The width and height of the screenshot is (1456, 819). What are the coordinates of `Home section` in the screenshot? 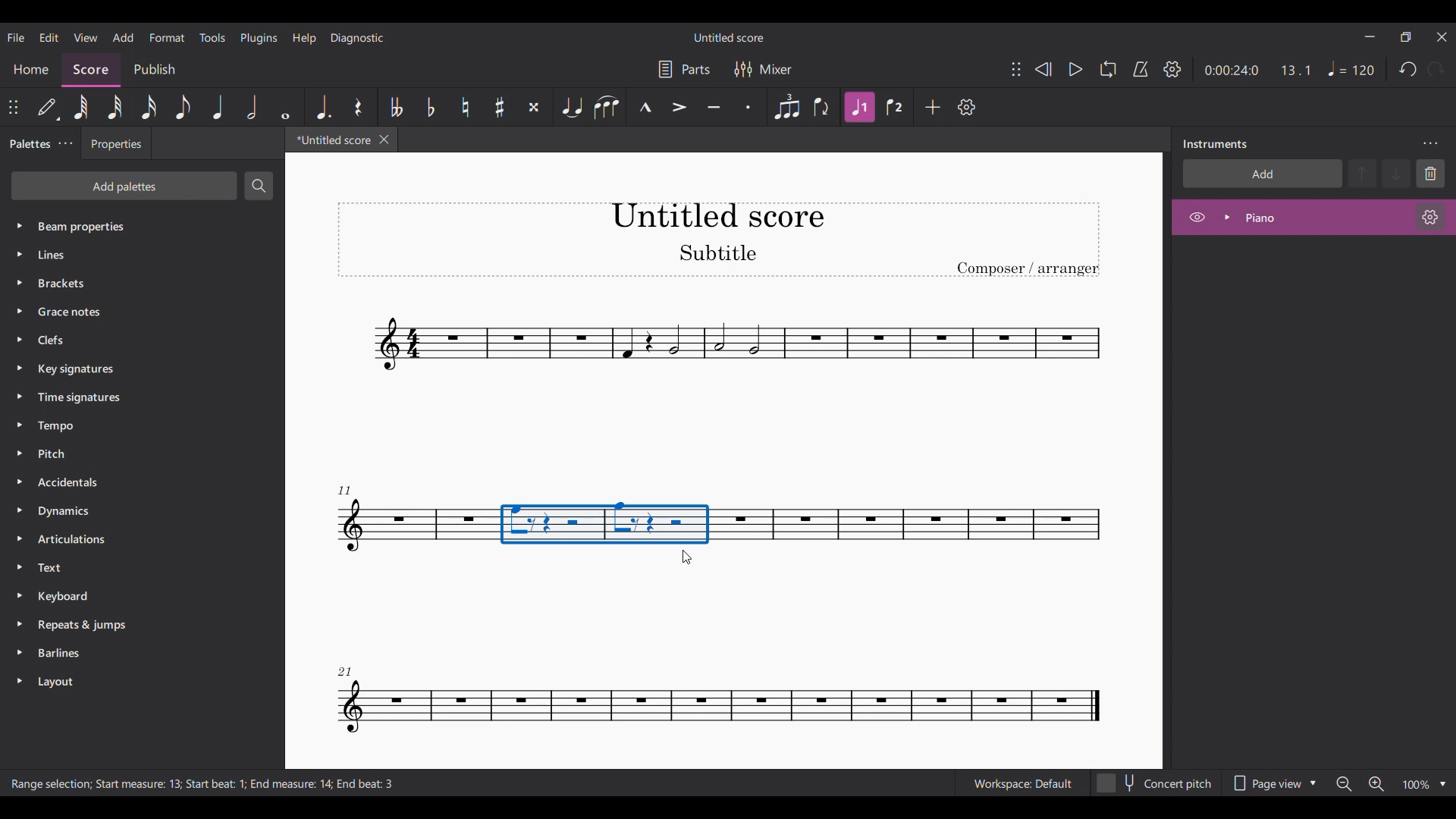 It's located at (31, 69).